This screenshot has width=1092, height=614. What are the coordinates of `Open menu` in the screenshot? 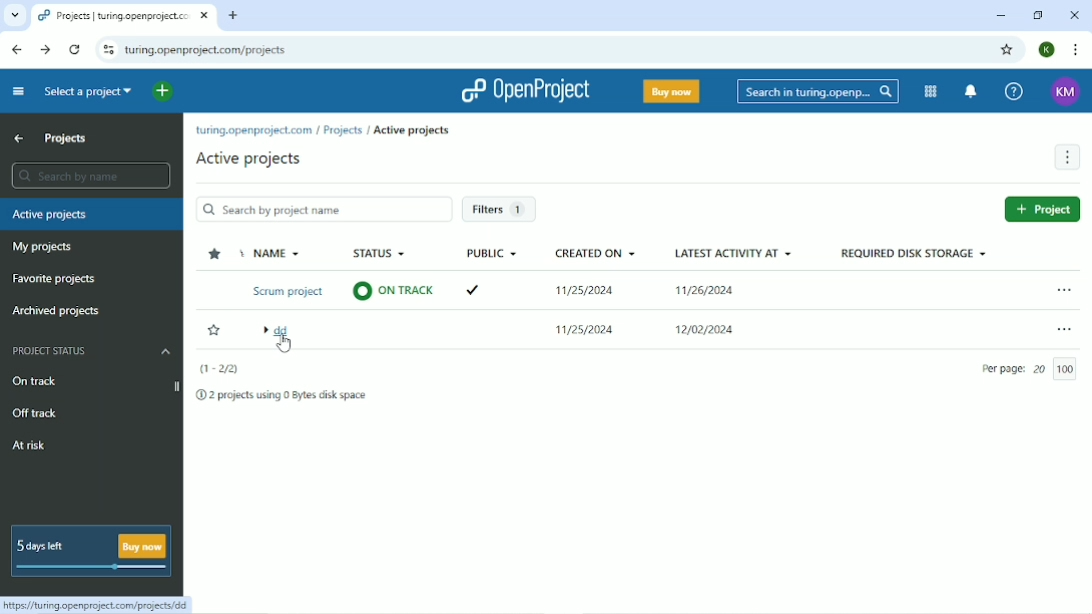 It's located at (1064, 289).